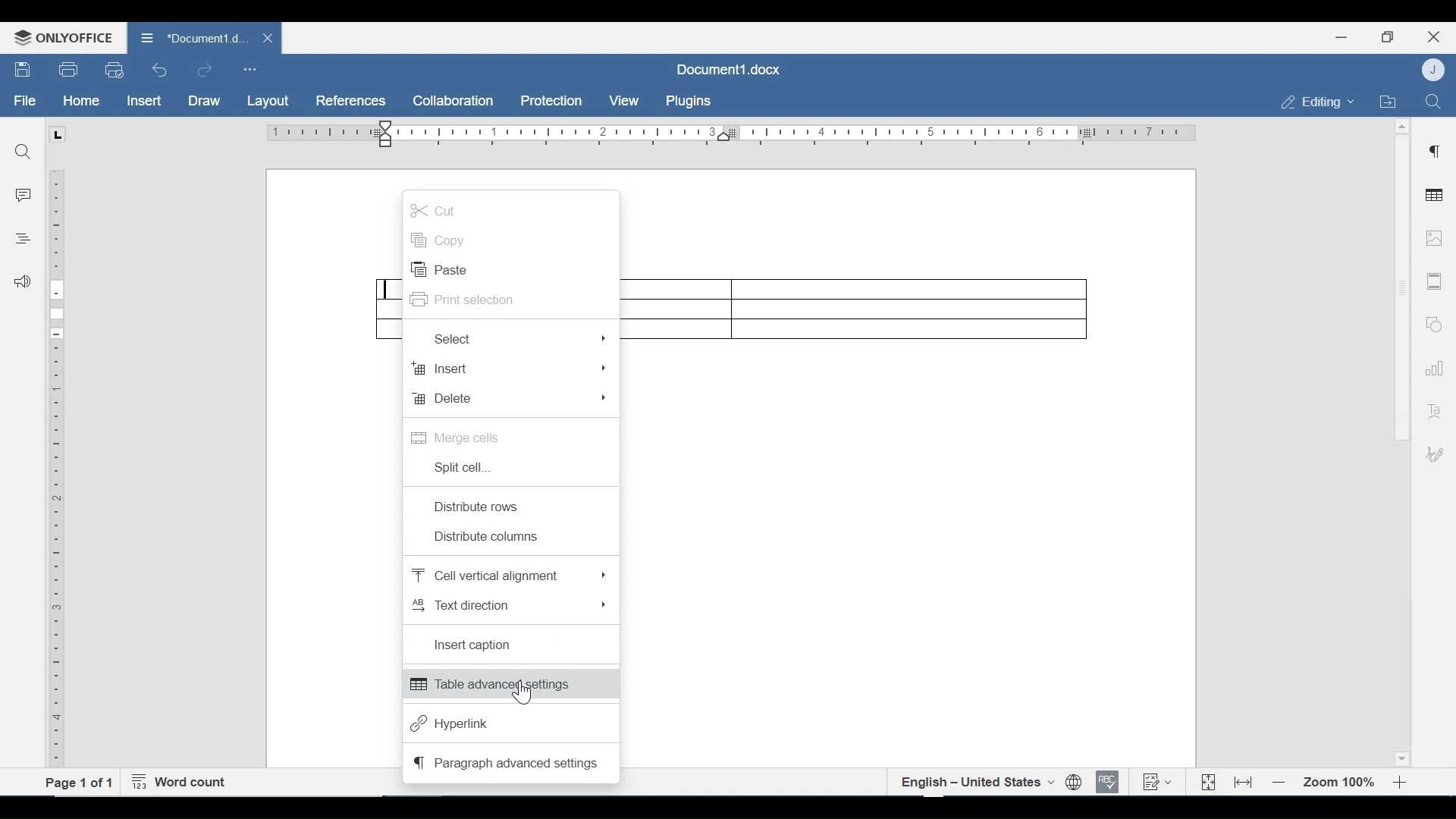  I want to click on Plugins, so click(686, 102).